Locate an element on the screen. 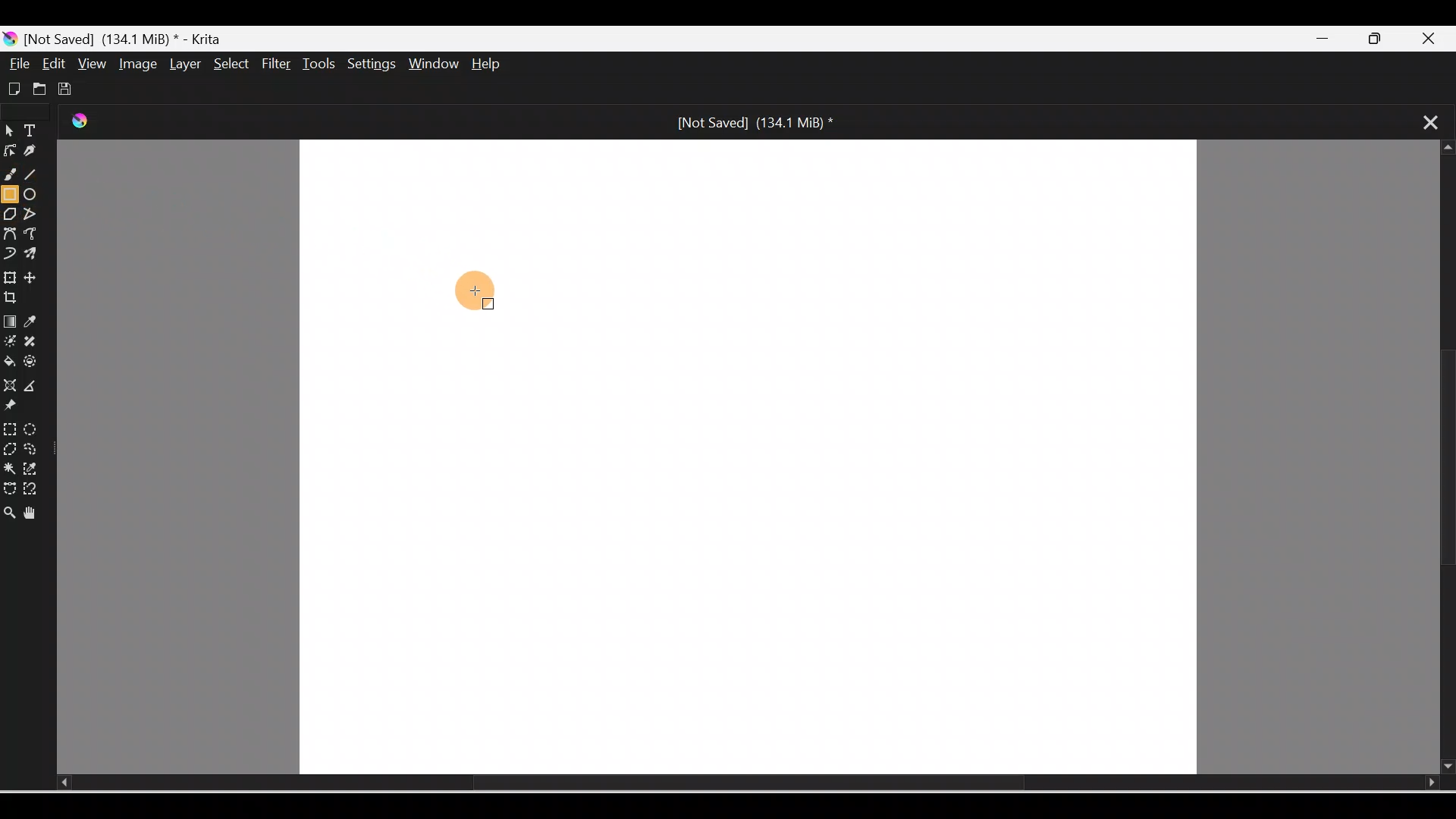  Multibrush tool is located at coordinates (33, 256).